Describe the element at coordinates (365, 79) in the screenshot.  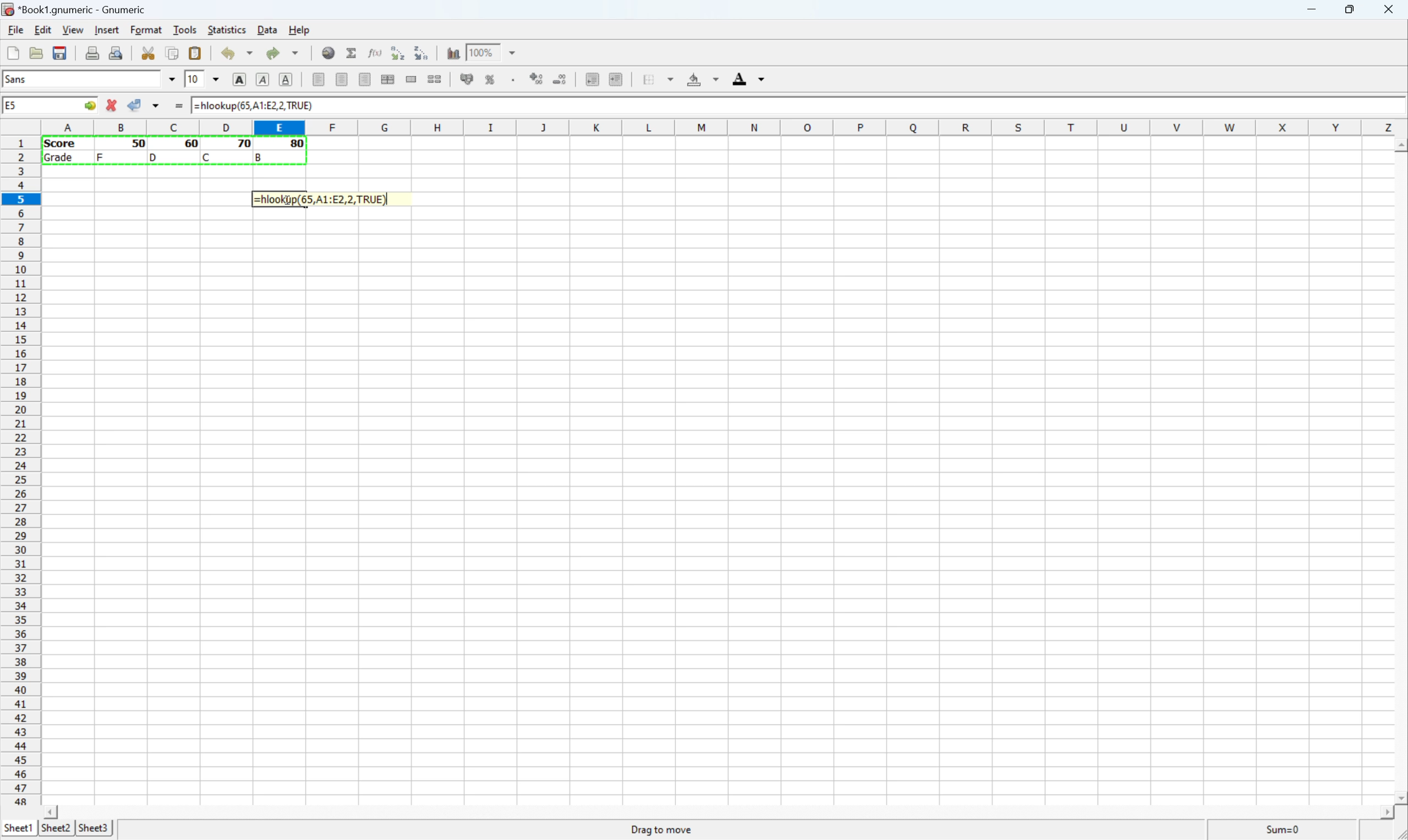
I see `Align Right` at that location.